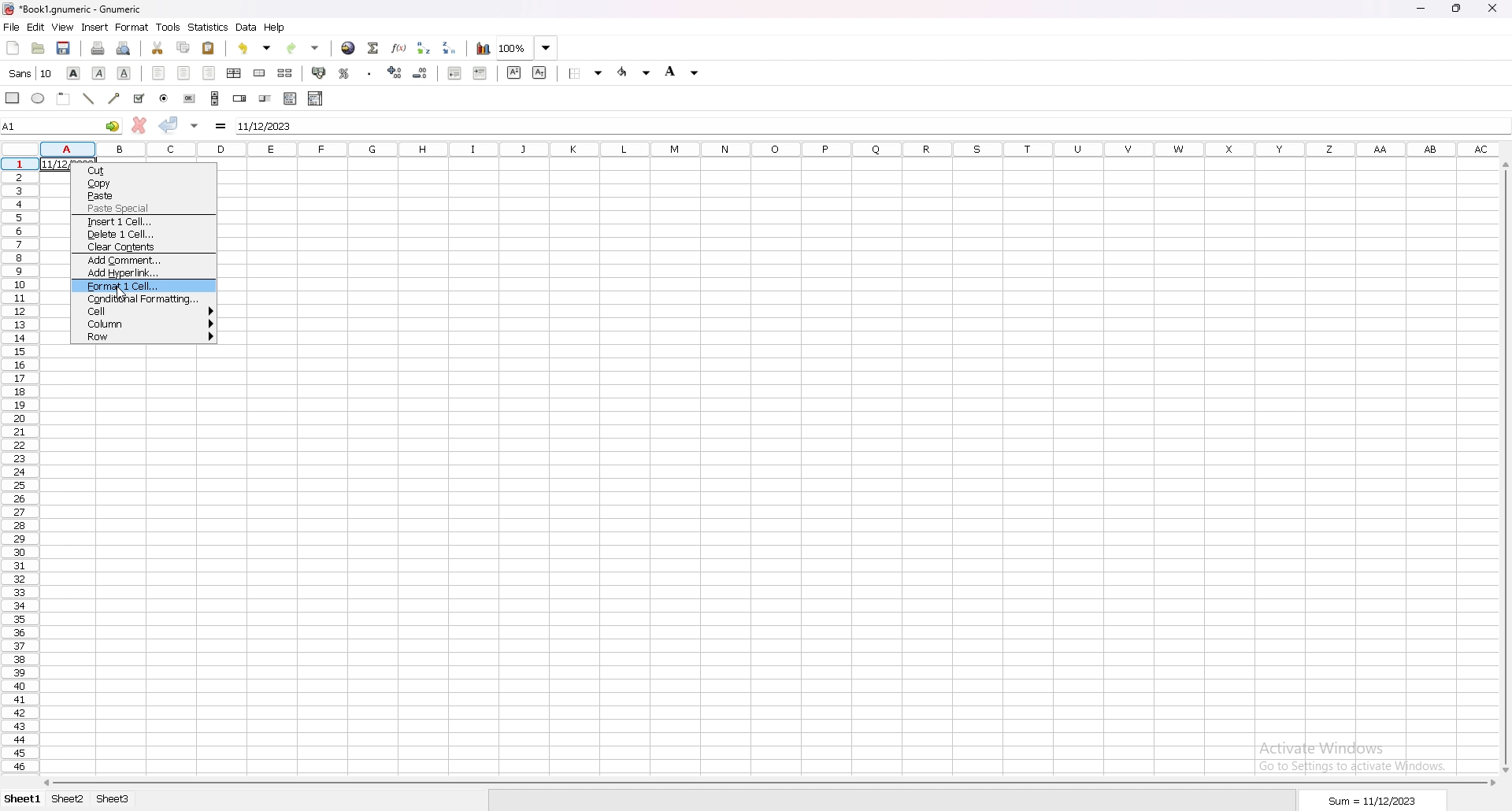 The width and height of the screenshot is (1512, 811). I want to click on sum, so click(1371, 801).